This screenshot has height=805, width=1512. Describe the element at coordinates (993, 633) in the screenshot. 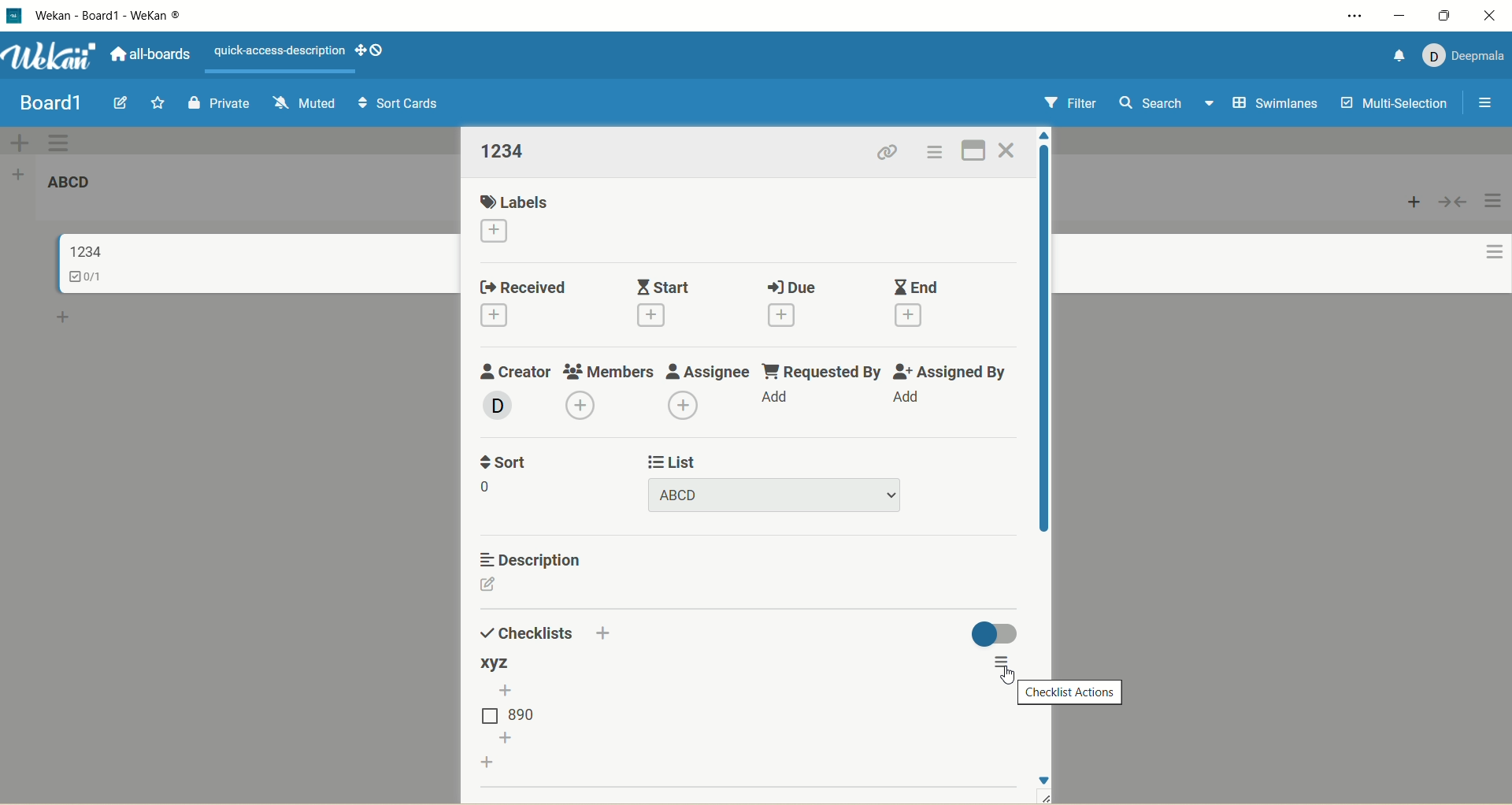

I see `toggle` at that location.